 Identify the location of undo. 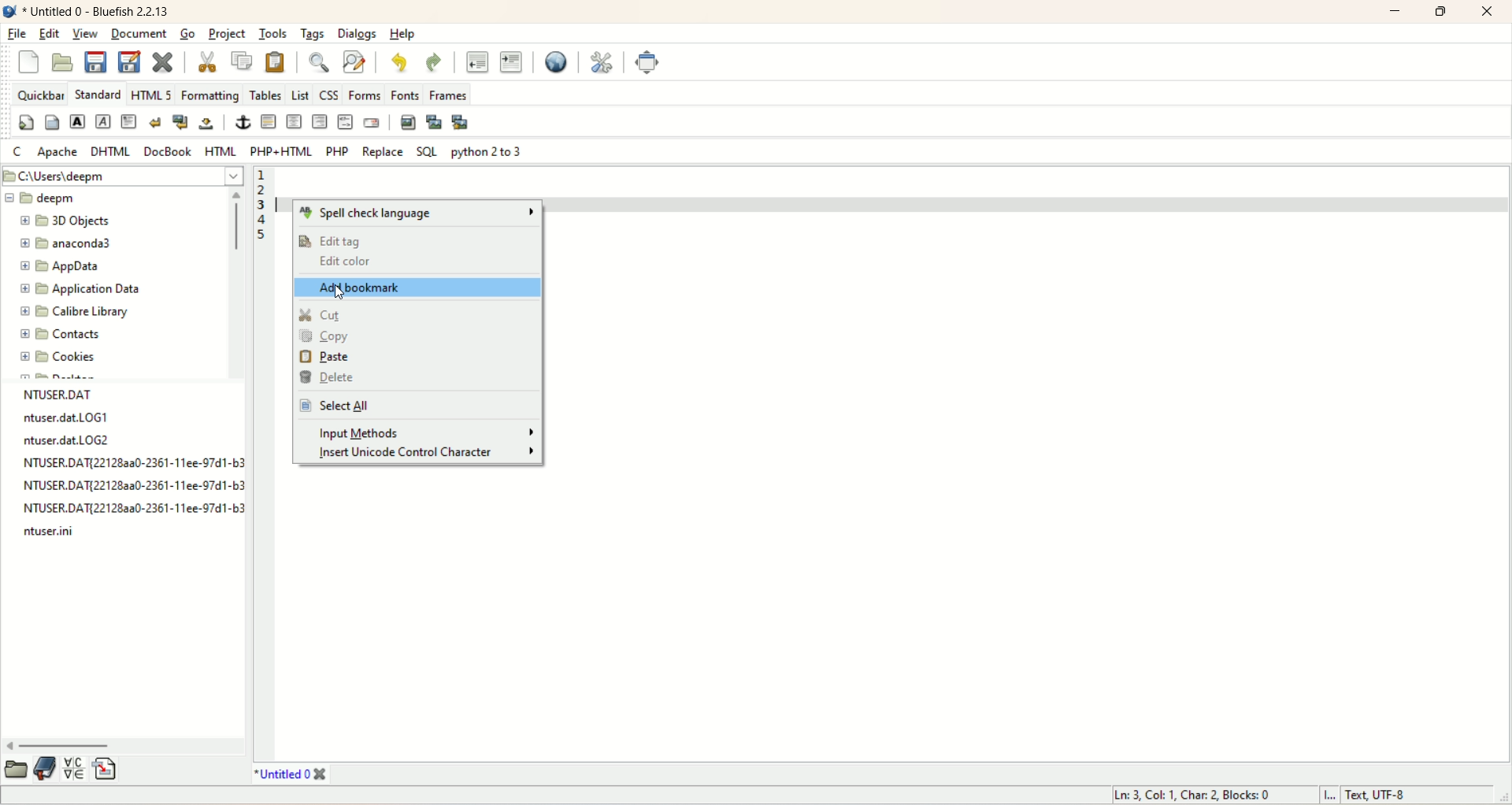
(396, 61).